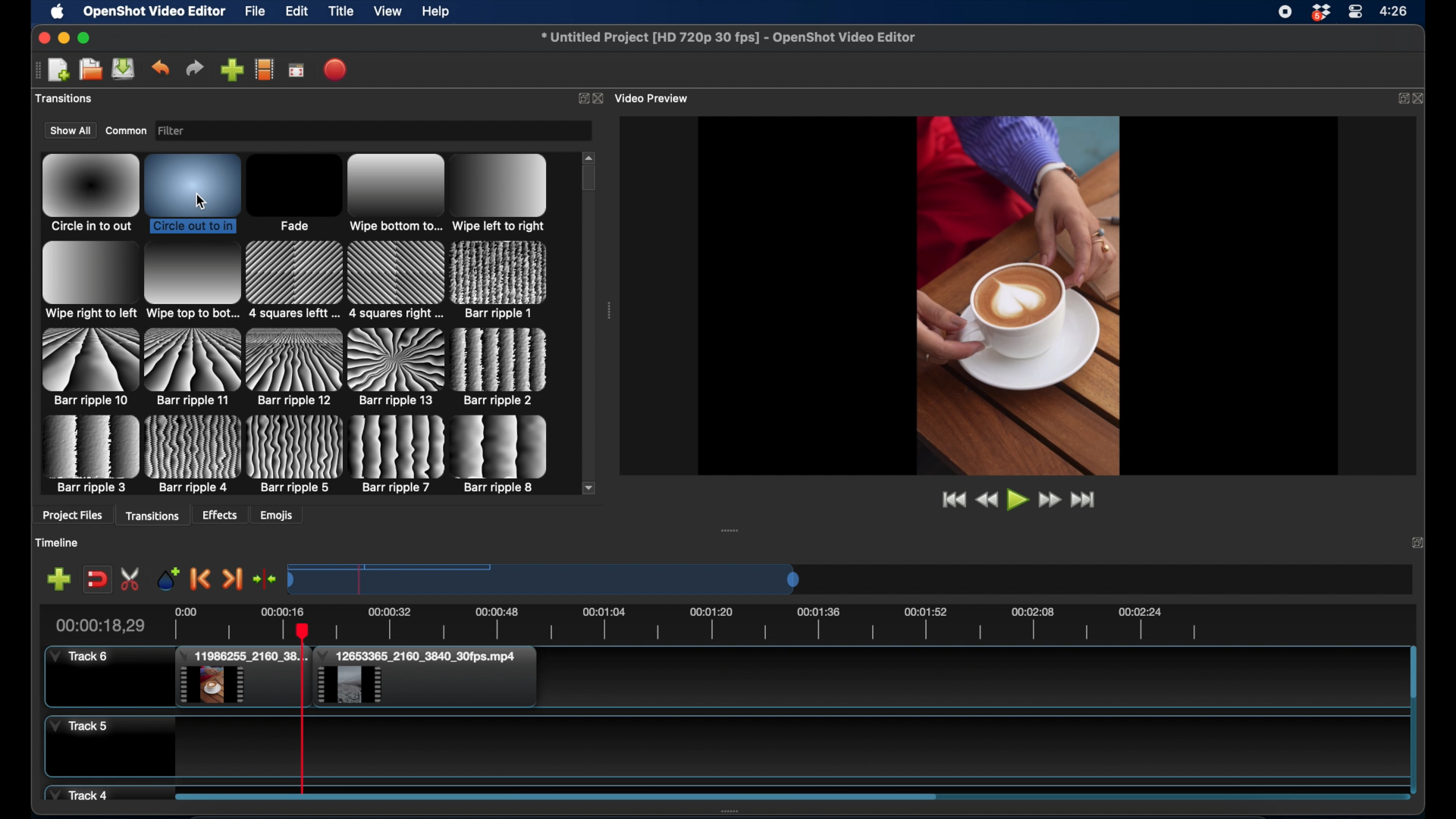 This screenshot has height=819, width=1456. What do you see at coordinates (124, 69) in the screenshot?
I see `save project` at bounding box center [124, 69].